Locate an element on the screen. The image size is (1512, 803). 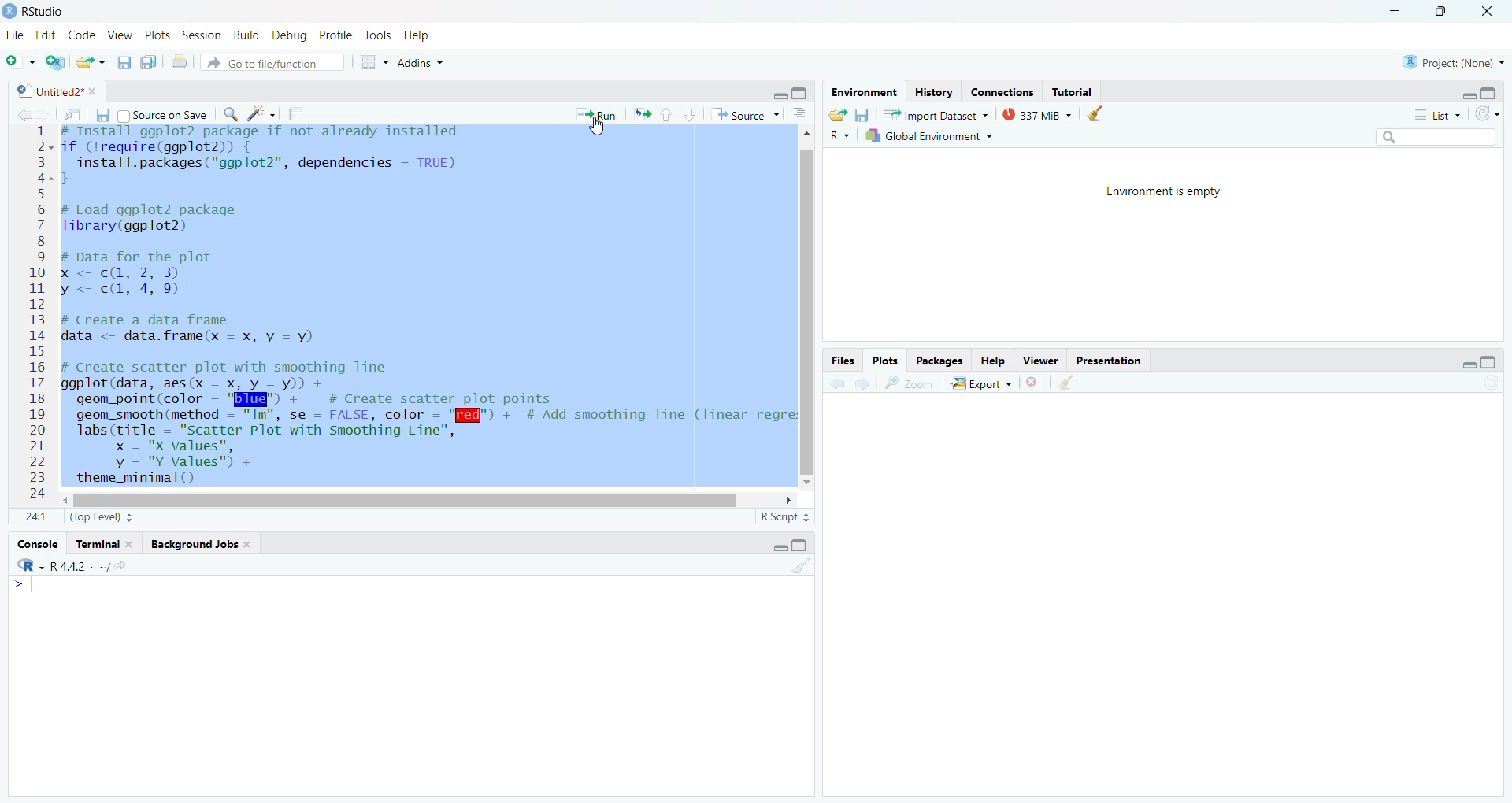
Plots is located at coordinates (885, 360).